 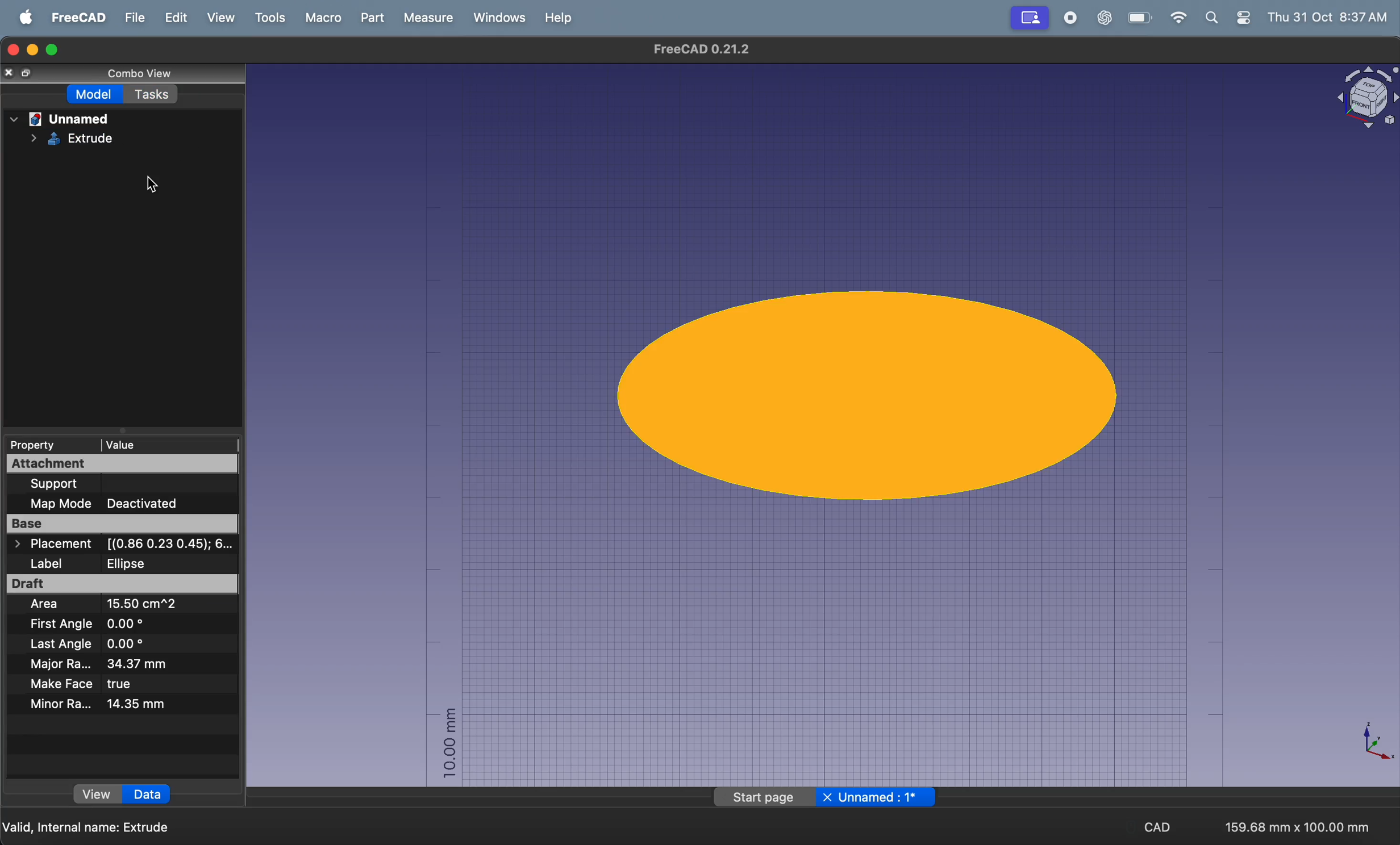 What do you see at coordinates (82, 483) in the screenshot?
I see `support ` at bounding box center [82, 483].